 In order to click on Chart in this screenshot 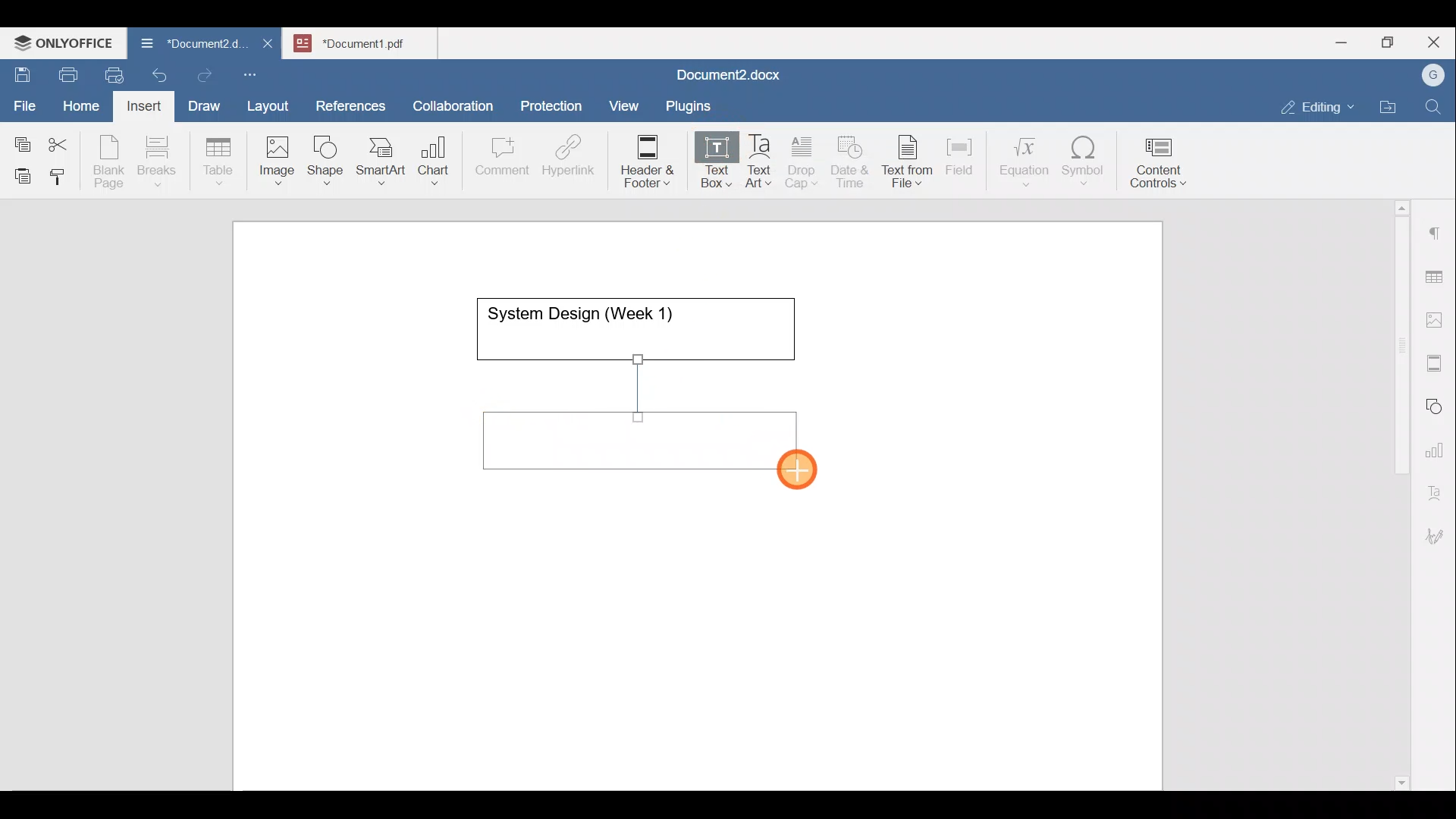, I will do `click(431, 162)`.